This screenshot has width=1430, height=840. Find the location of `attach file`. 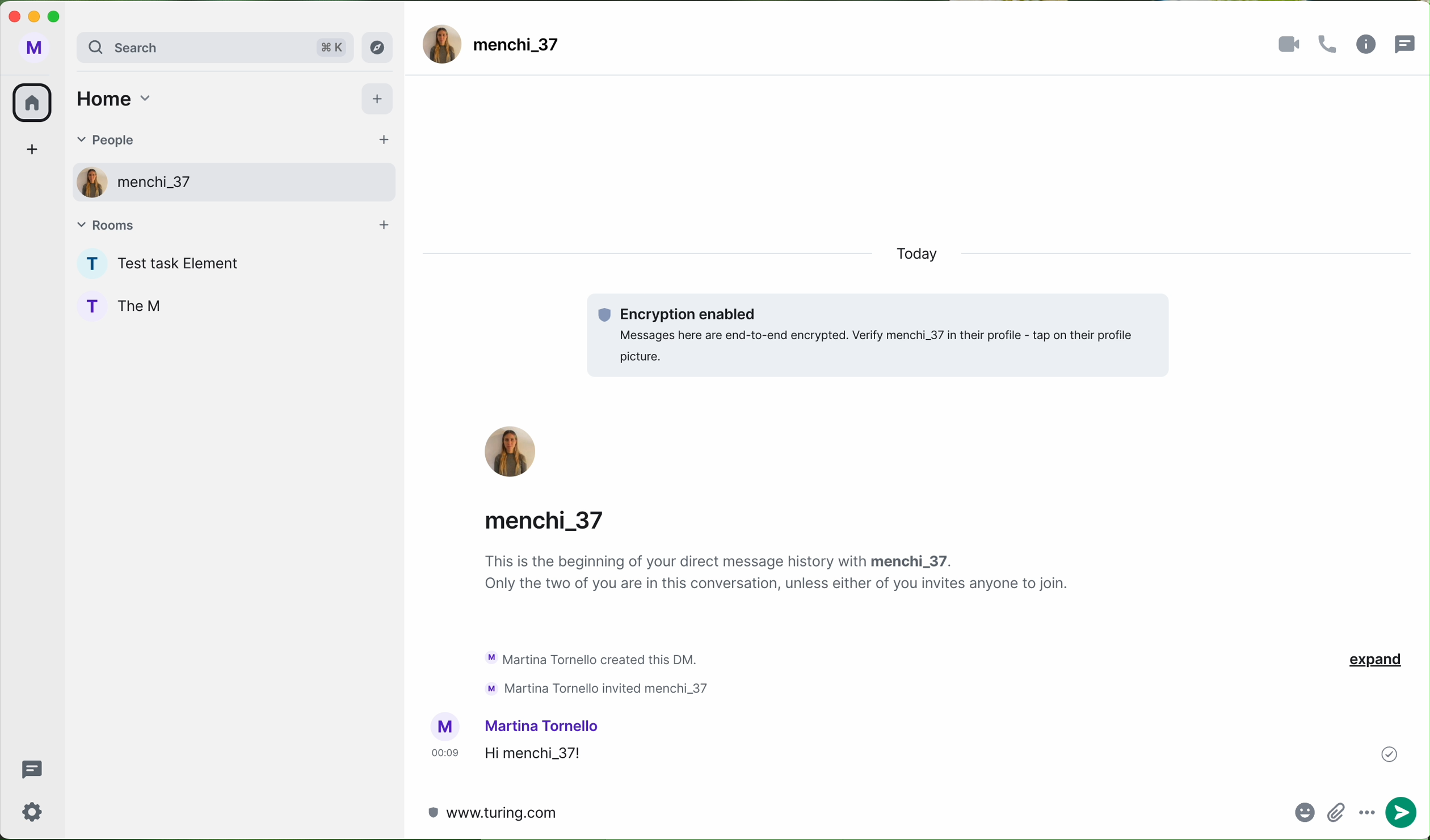

attach file is located at coordinates (1340, 814).